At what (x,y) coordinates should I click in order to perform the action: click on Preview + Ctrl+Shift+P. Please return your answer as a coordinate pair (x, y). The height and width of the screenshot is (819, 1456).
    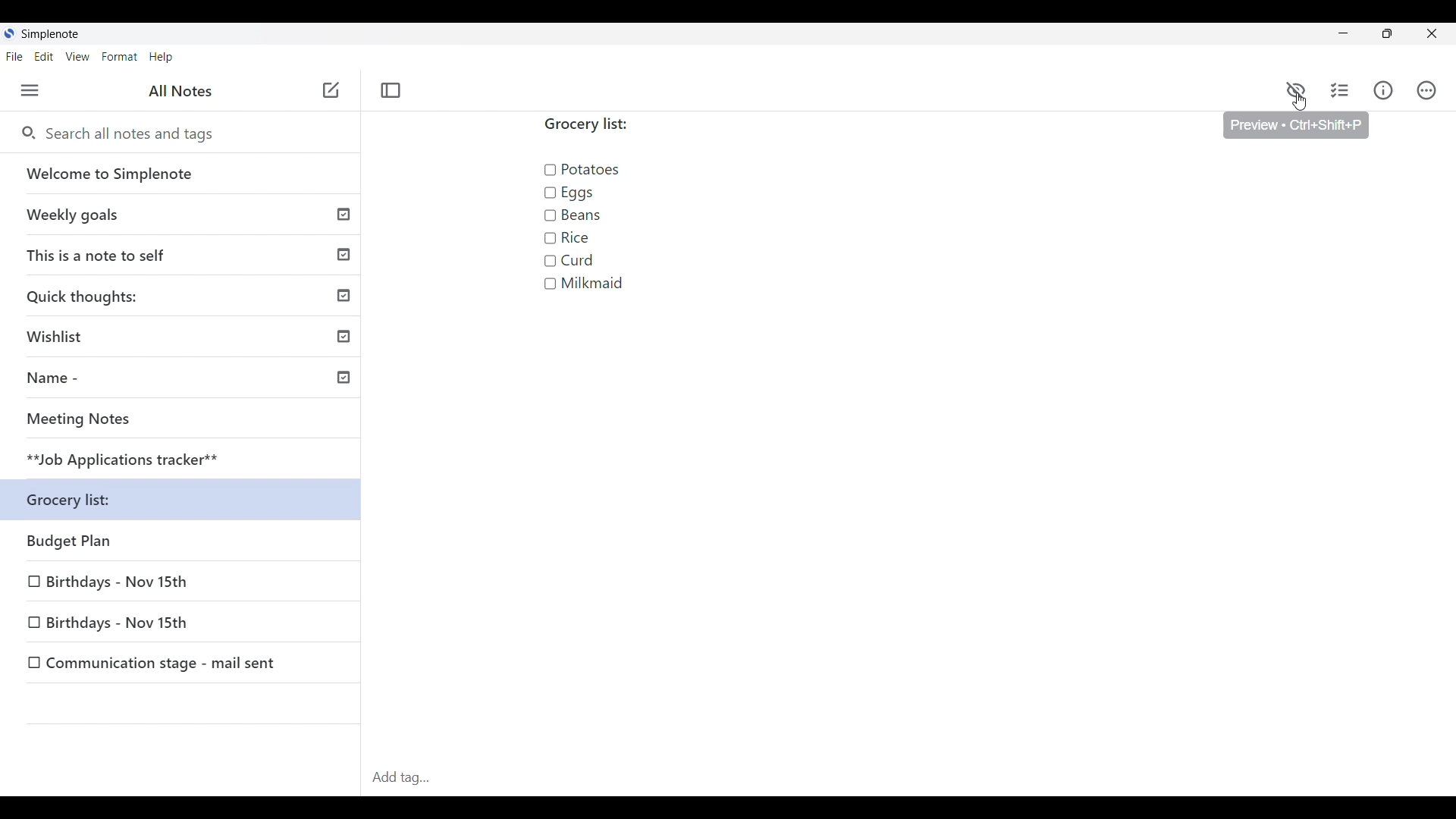
    Looking at the image, I should click on (1296, 127).